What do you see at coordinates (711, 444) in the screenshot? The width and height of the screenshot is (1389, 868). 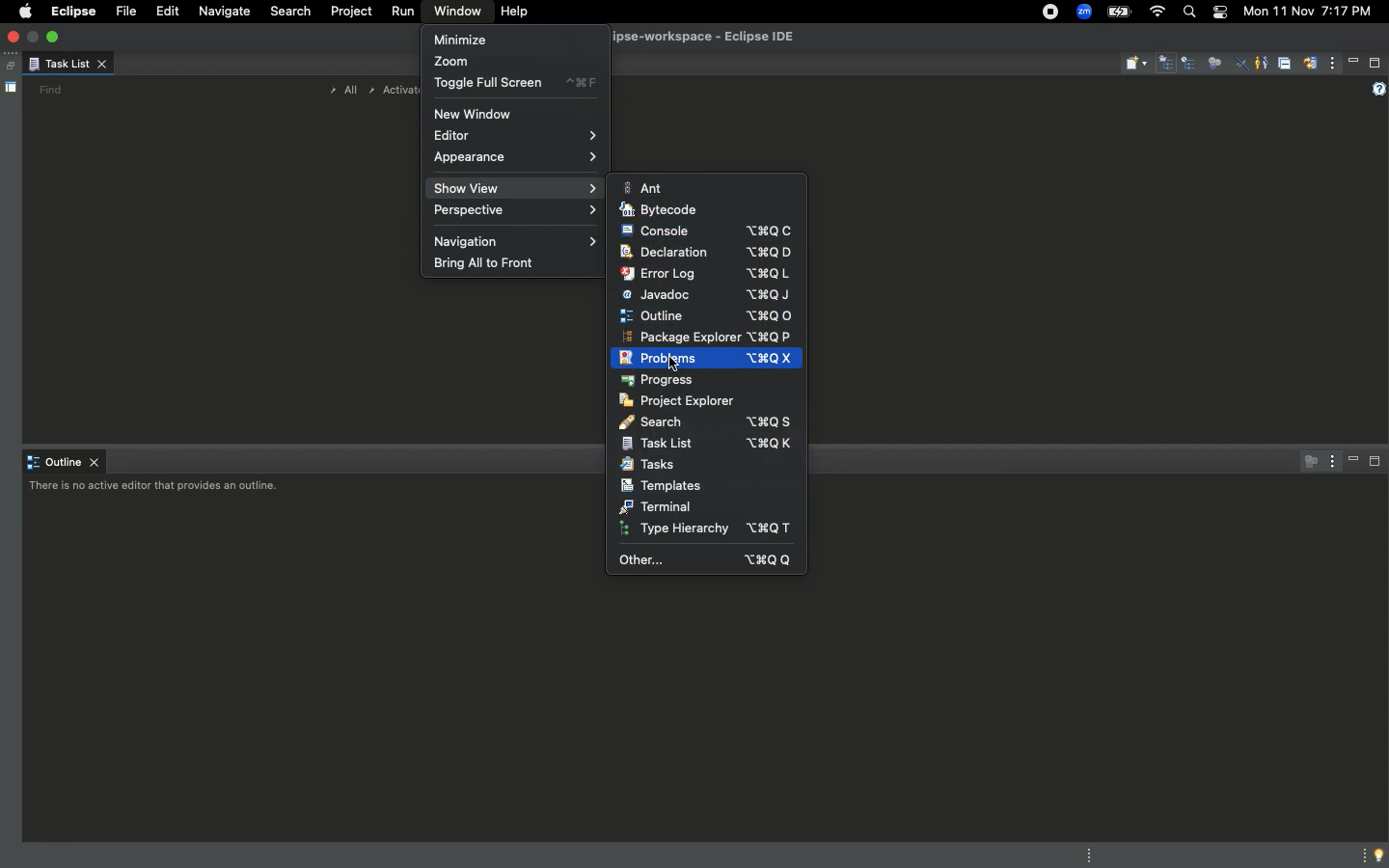 I see `Task list` at bounding box center [711, 444].